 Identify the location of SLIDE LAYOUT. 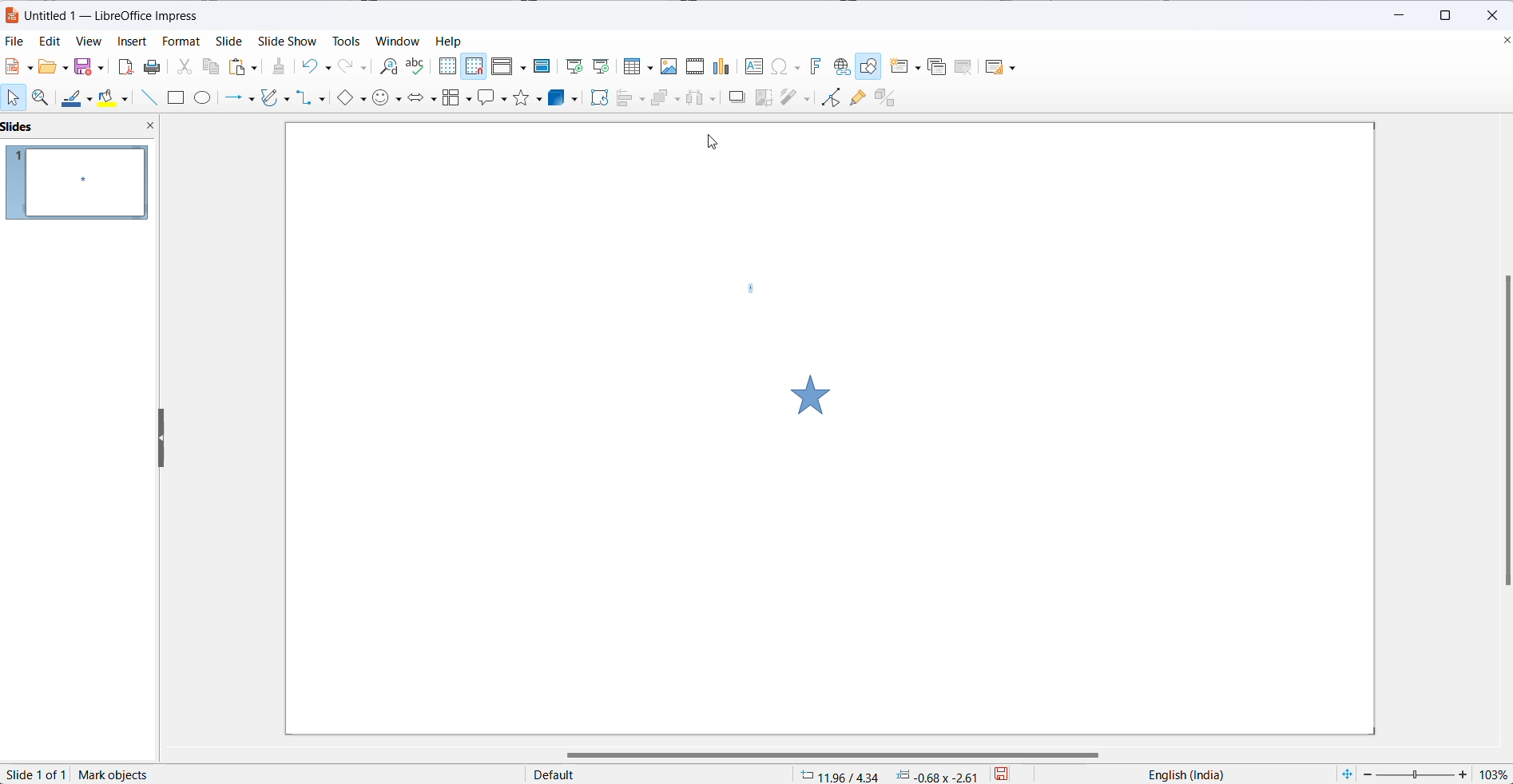
(1001, 66).